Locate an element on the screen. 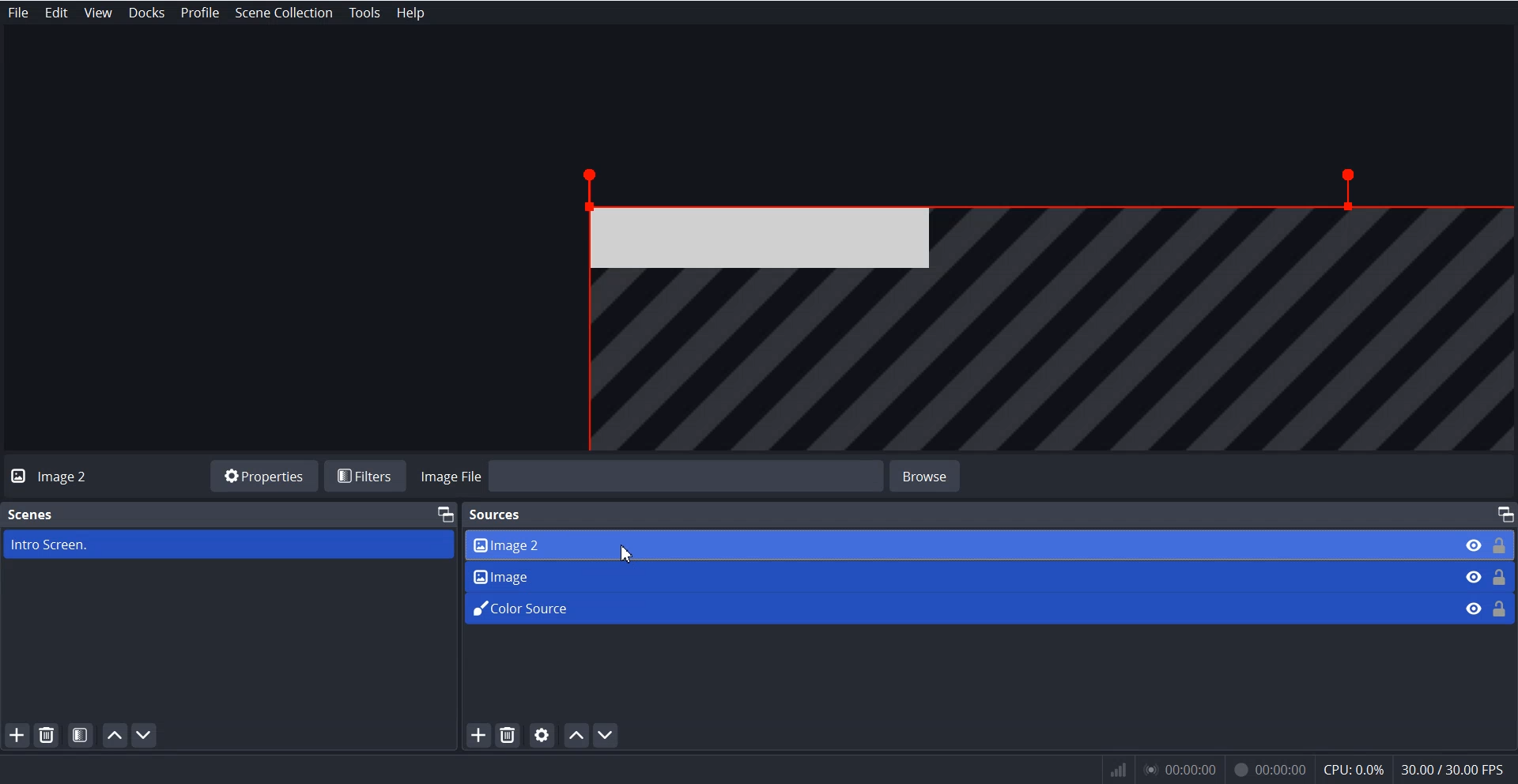  View is located at coordinates (98, 13).